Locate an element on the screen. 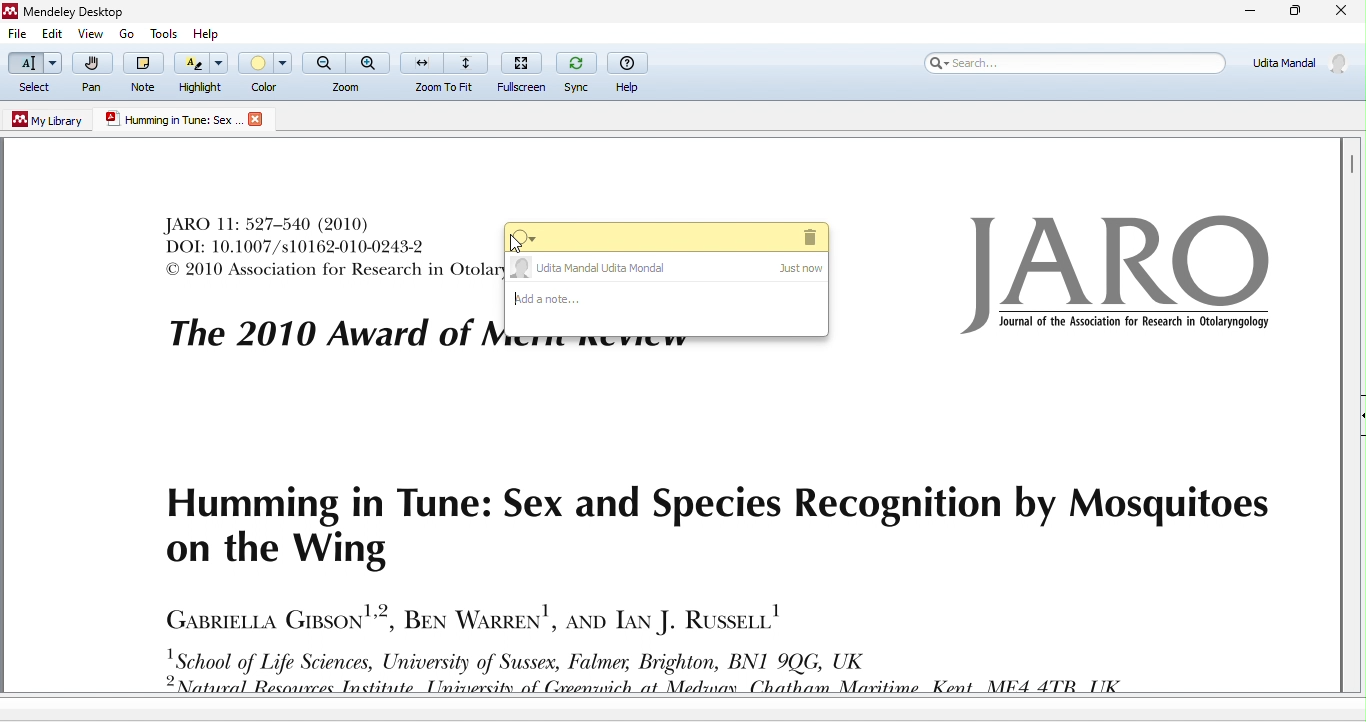  delete is located at coordinates (807, 237).